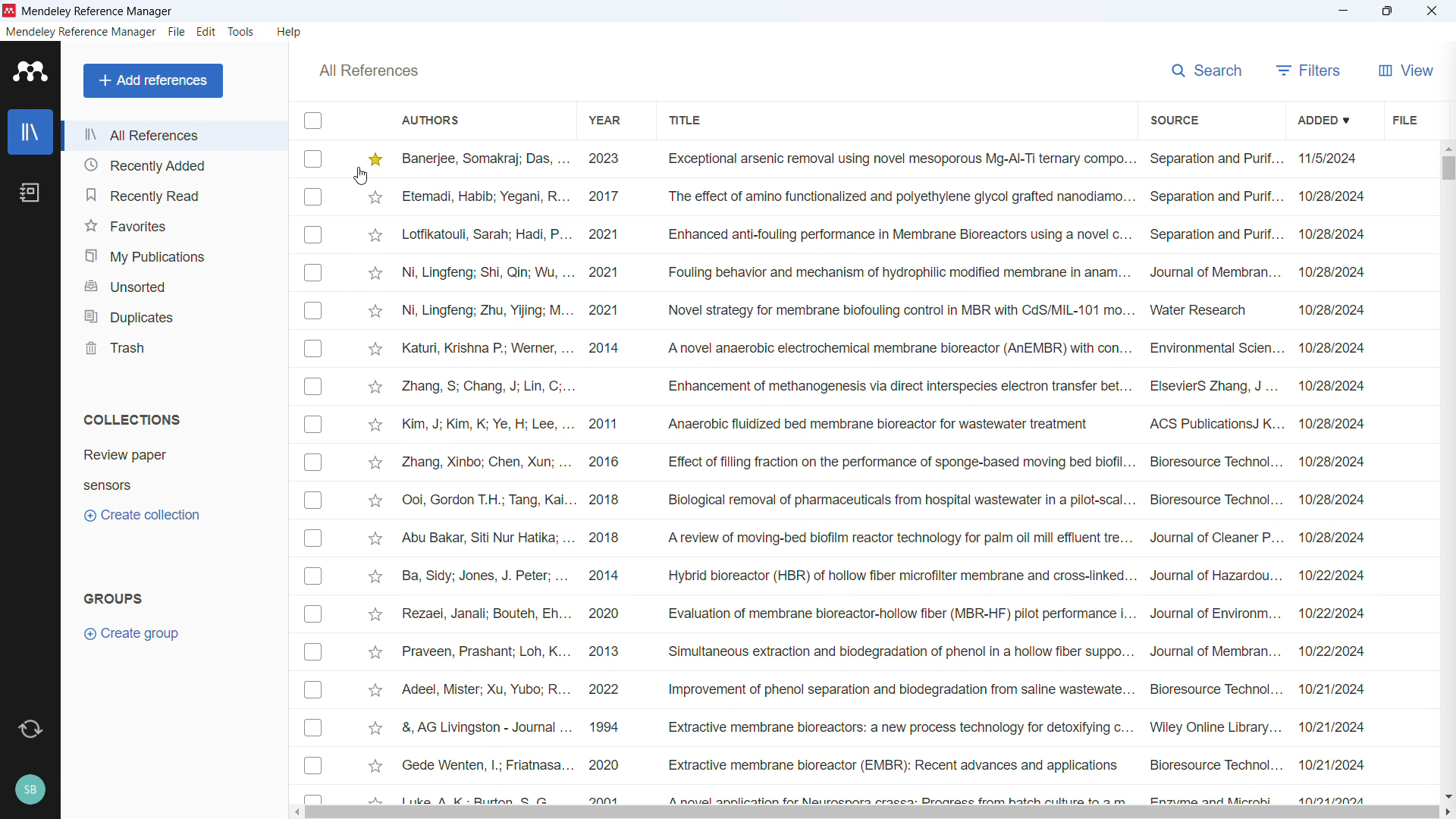 This screenshot has height=819, width=1456. I want to click on Groups , so click(114, 598).